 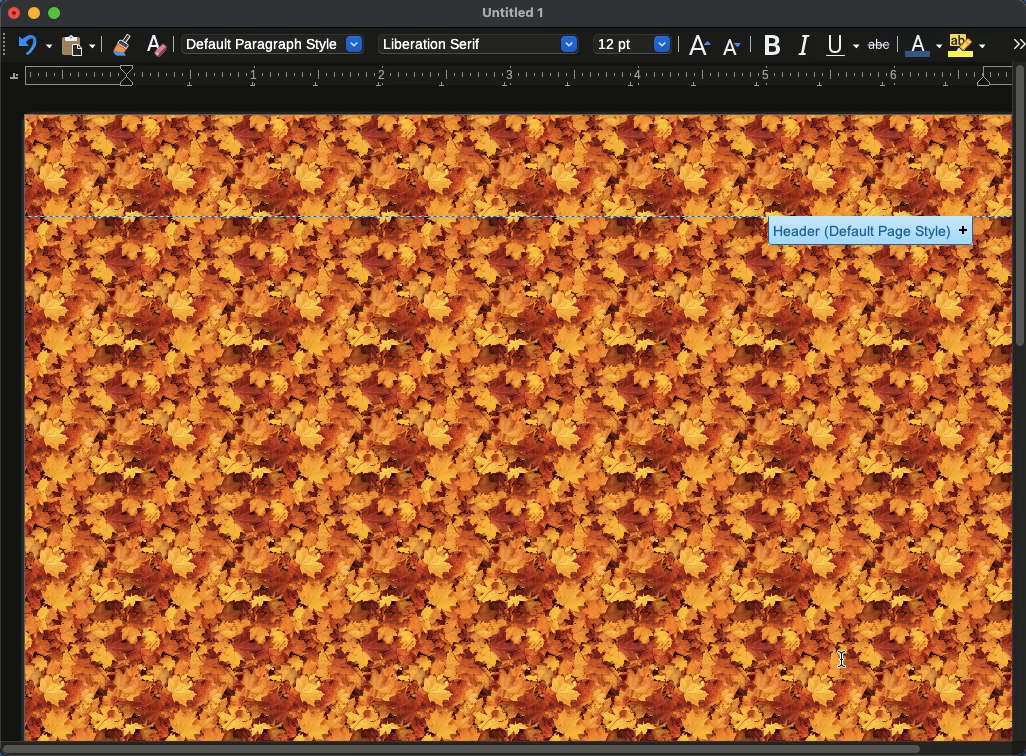 I want to click on close, so click(x=14, y=13).